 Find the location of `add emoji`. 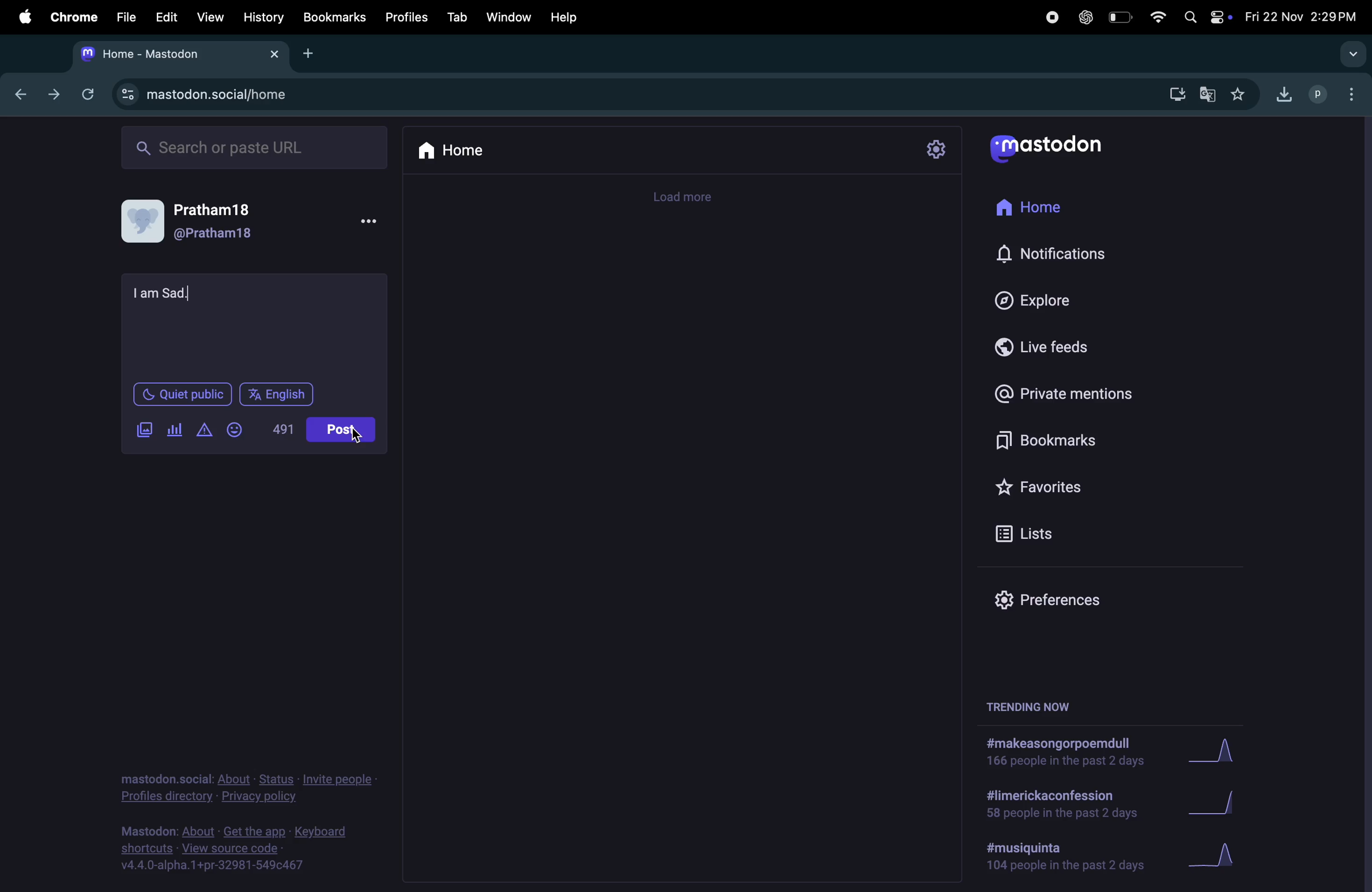

add emoji is located at coordinates (236, 429).